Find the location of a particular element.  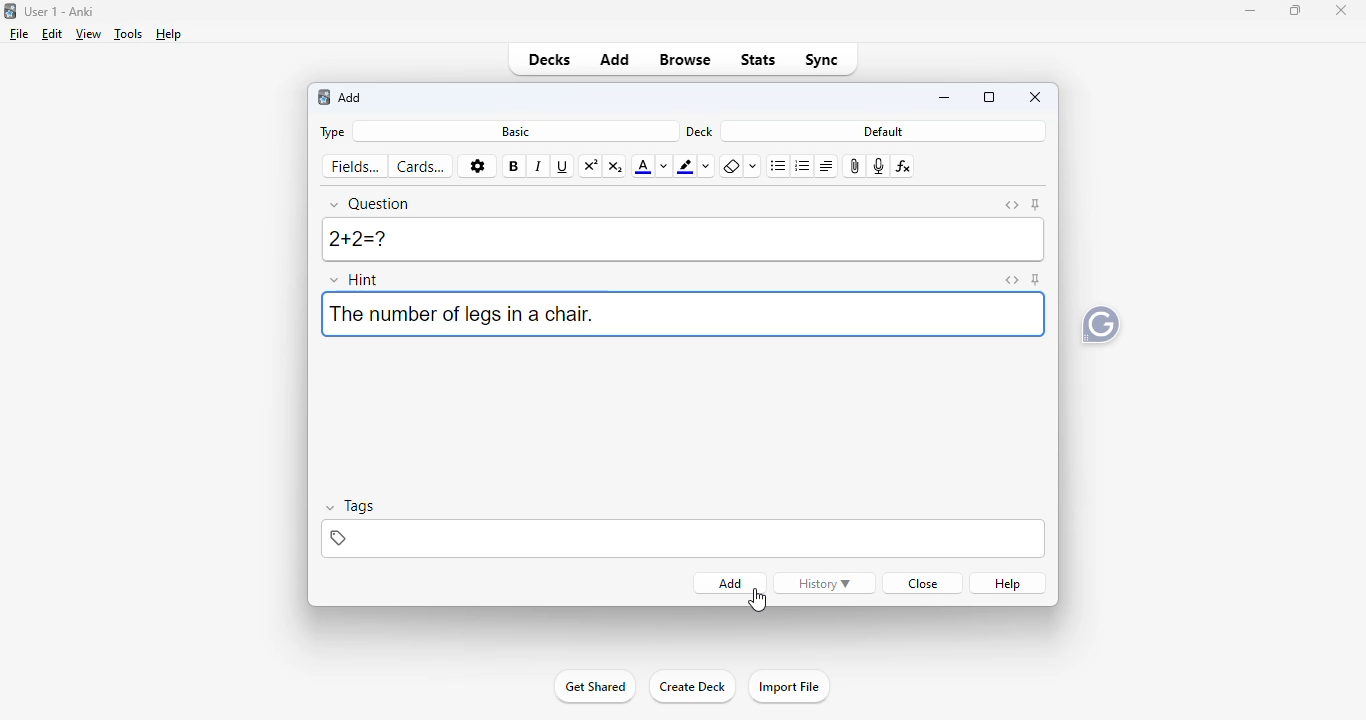

close is located at coordinates (1036, 97).